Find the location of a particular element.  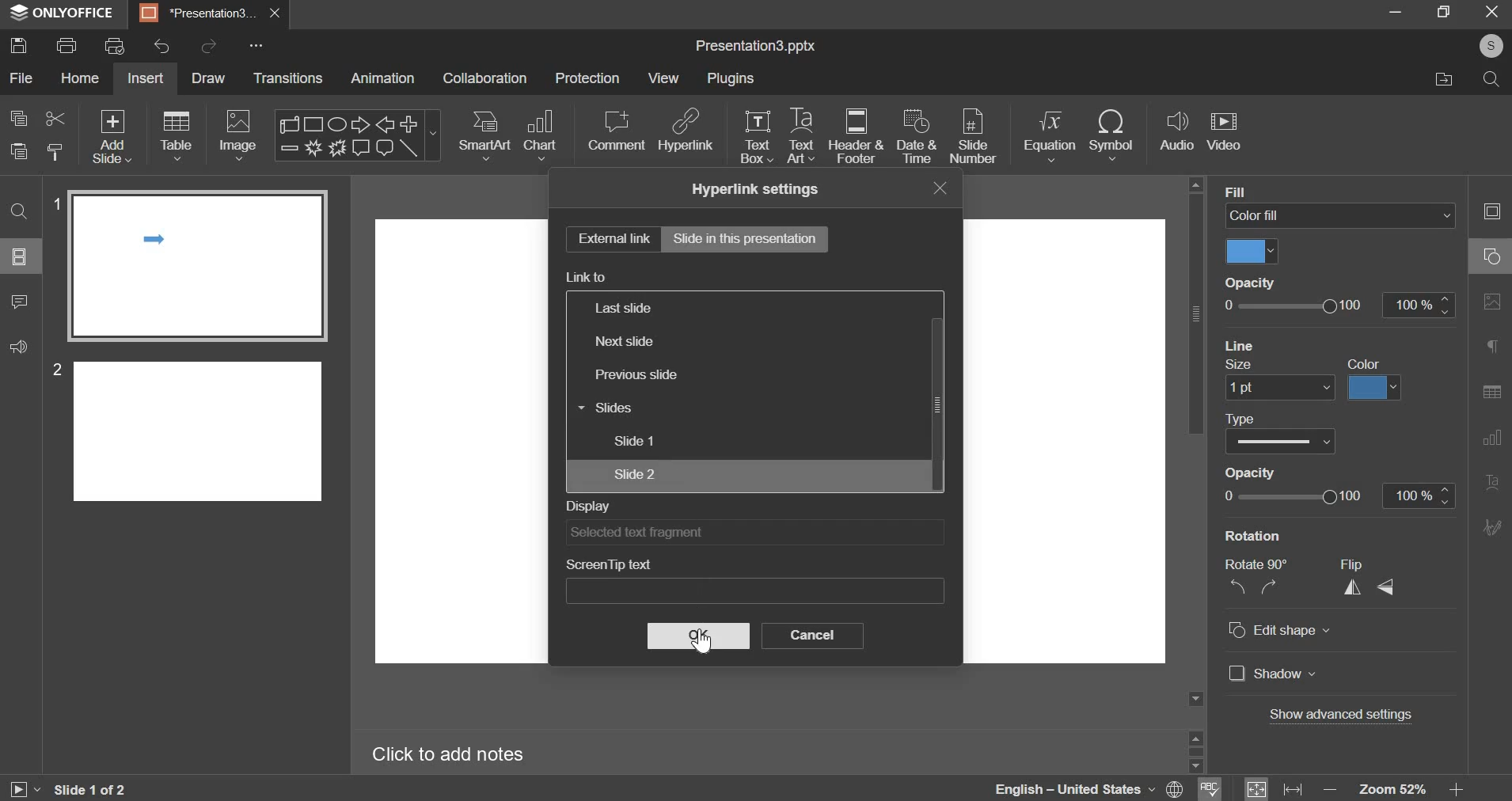

color is located at coordinates (1364, 364).